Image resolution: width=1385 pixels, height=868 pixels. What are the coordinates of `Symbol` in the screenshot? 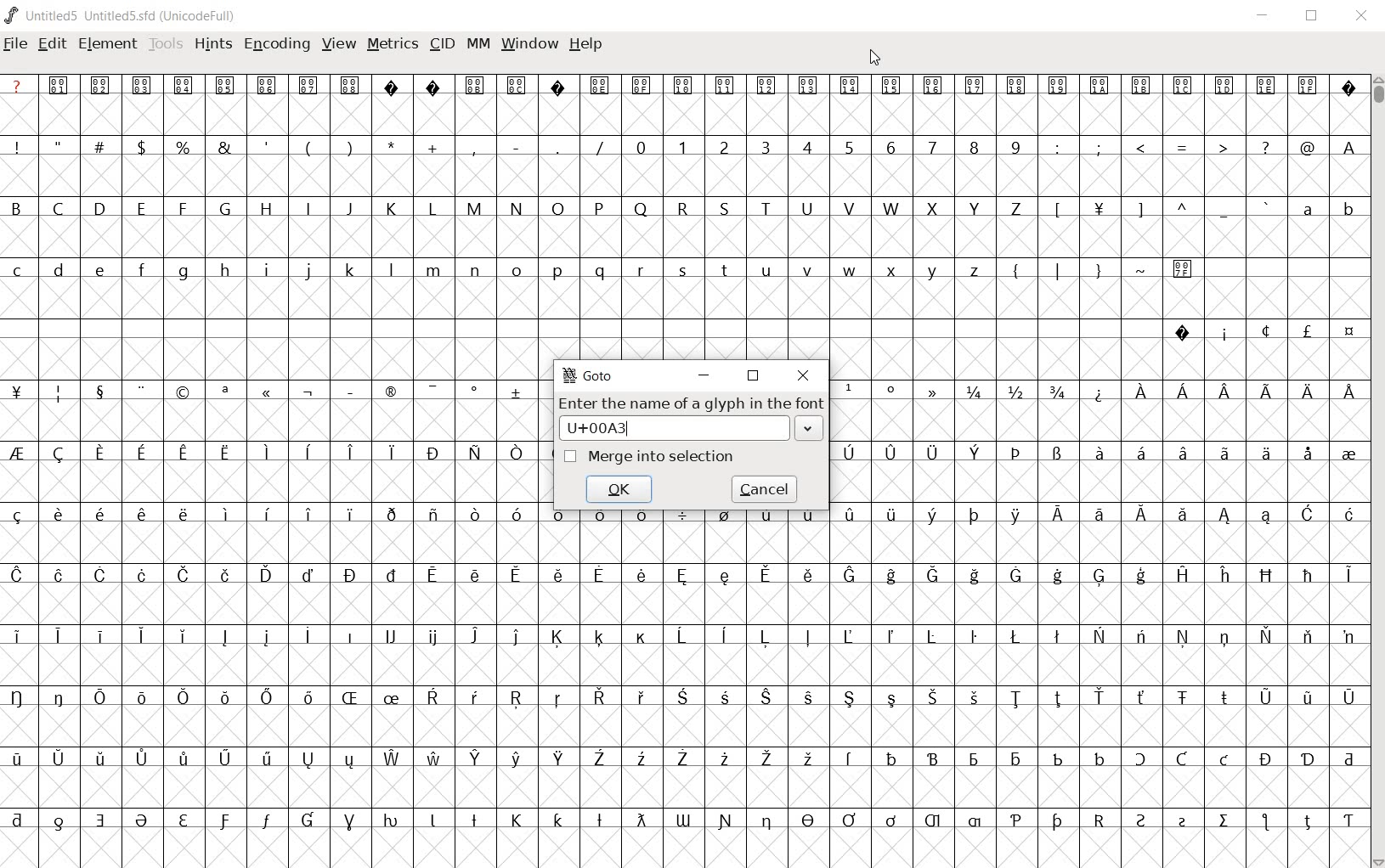 It's located at (1182, 573).